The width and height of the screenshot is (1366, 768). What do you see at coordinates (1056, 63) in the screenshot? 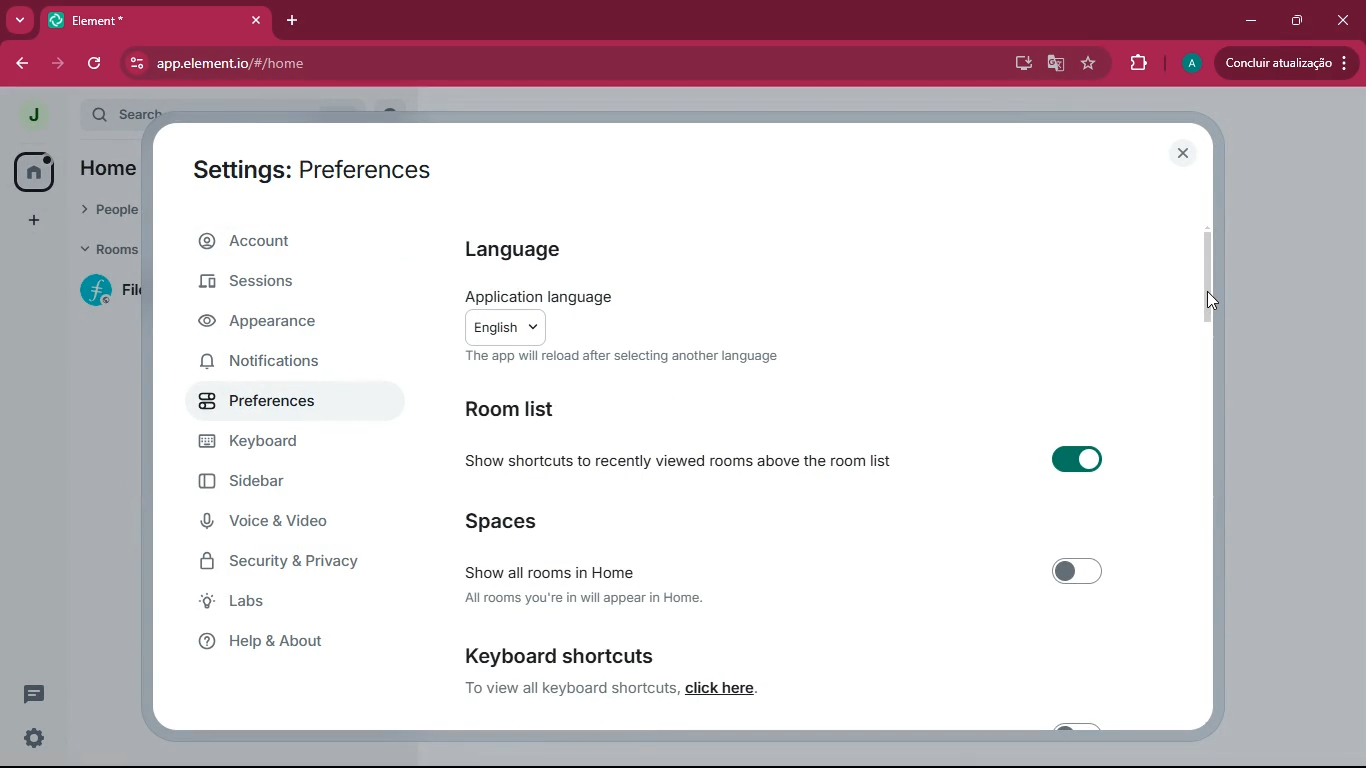
I see `google translate` at bounding box center [1056, 63].